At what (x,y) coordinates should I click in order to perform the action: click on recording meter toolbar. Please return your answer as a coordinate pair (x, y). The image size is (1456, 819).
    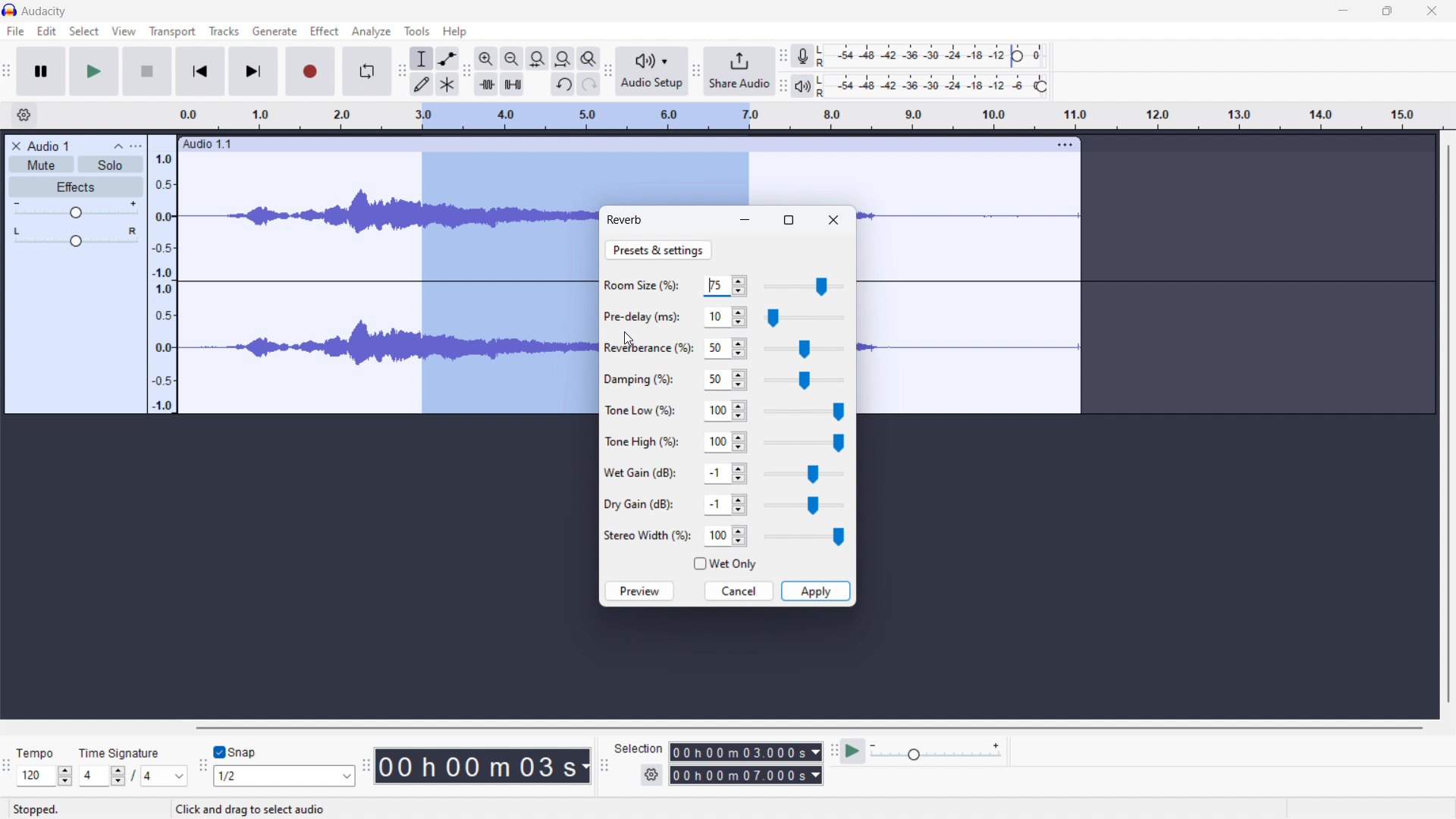
    Looking at the image, I should click on (783, 56).